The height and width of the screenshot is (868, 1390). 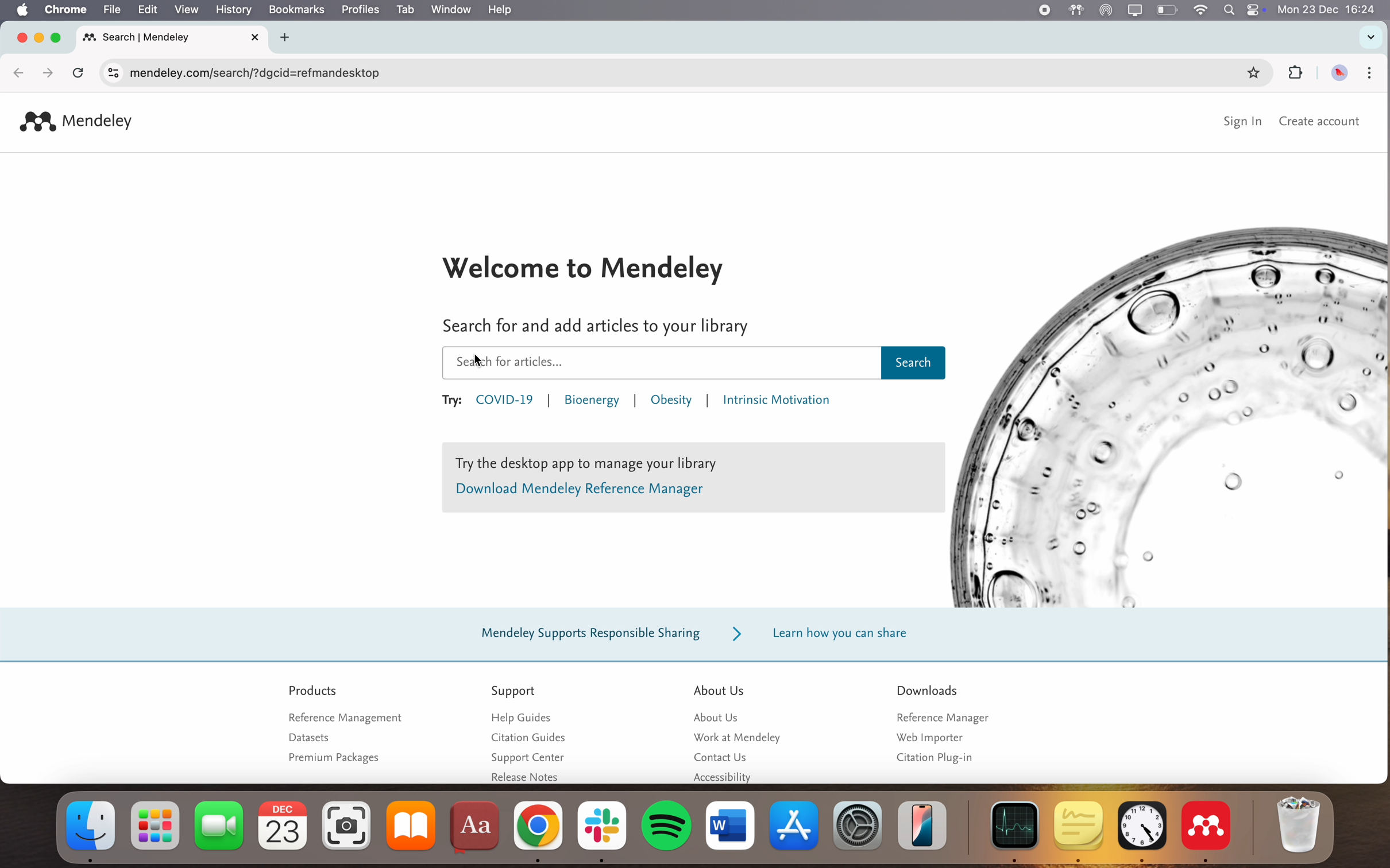 I want to click on foward, so click(x=44, y=72).